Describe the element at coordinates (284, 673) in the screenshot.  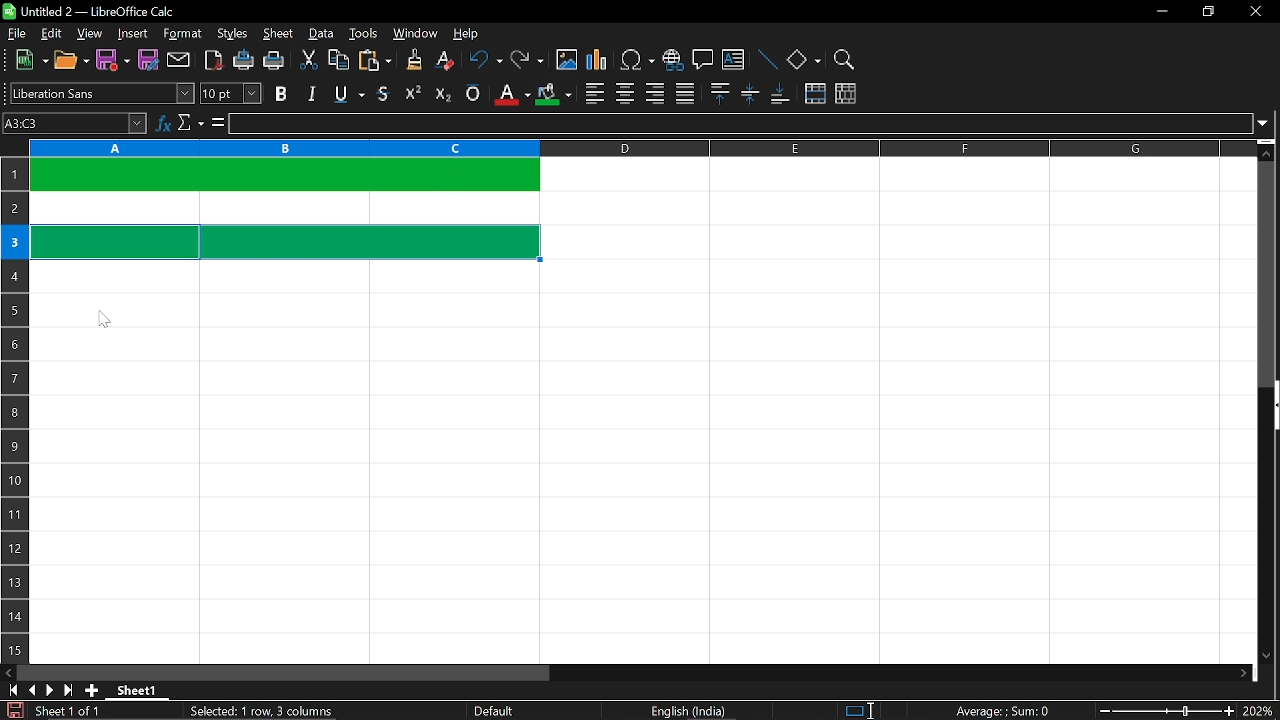
I see `horizontal scrollbar` at that location.